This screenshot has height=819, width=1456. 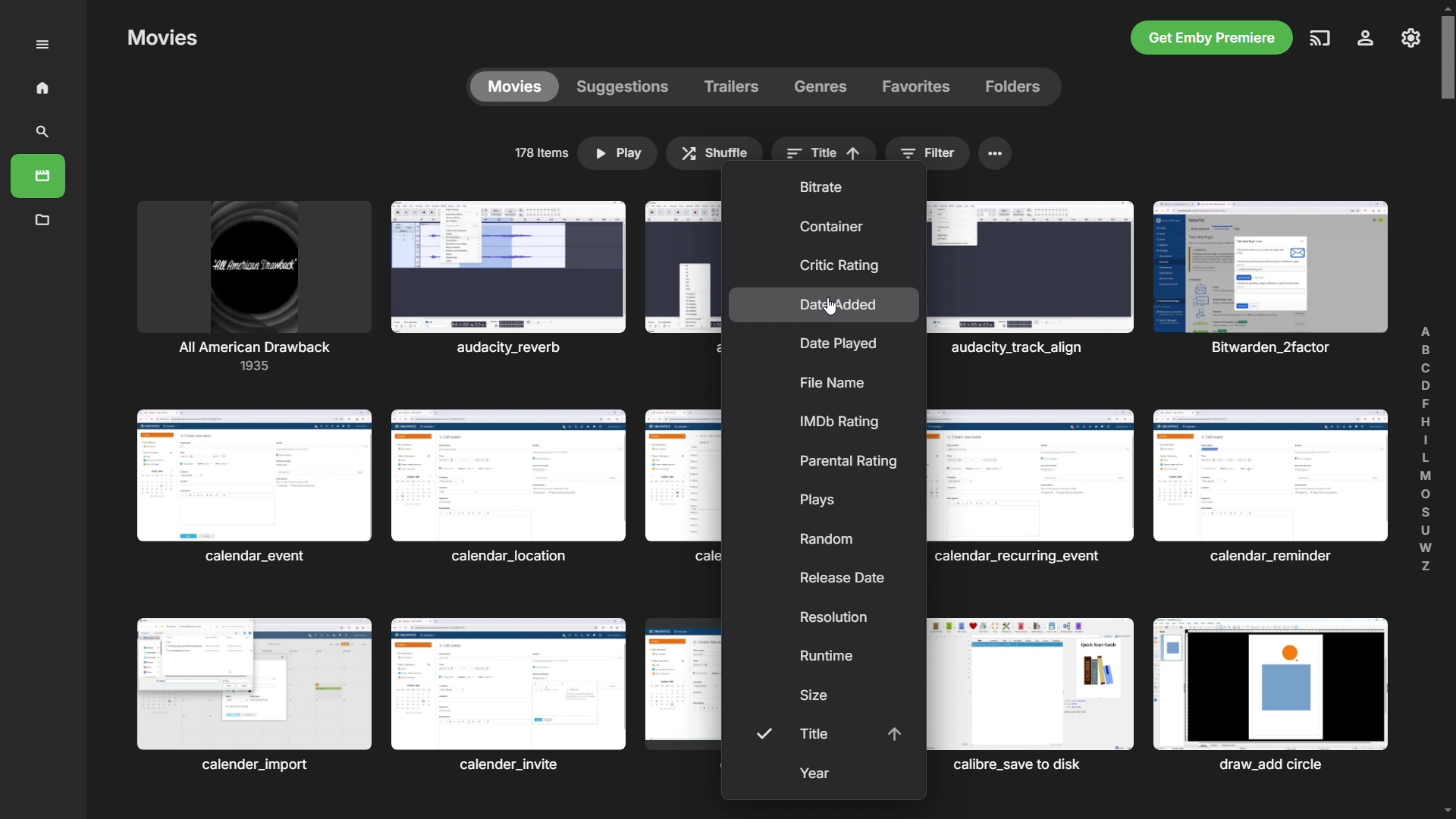 I want to click on , so click(x=508, y=488).